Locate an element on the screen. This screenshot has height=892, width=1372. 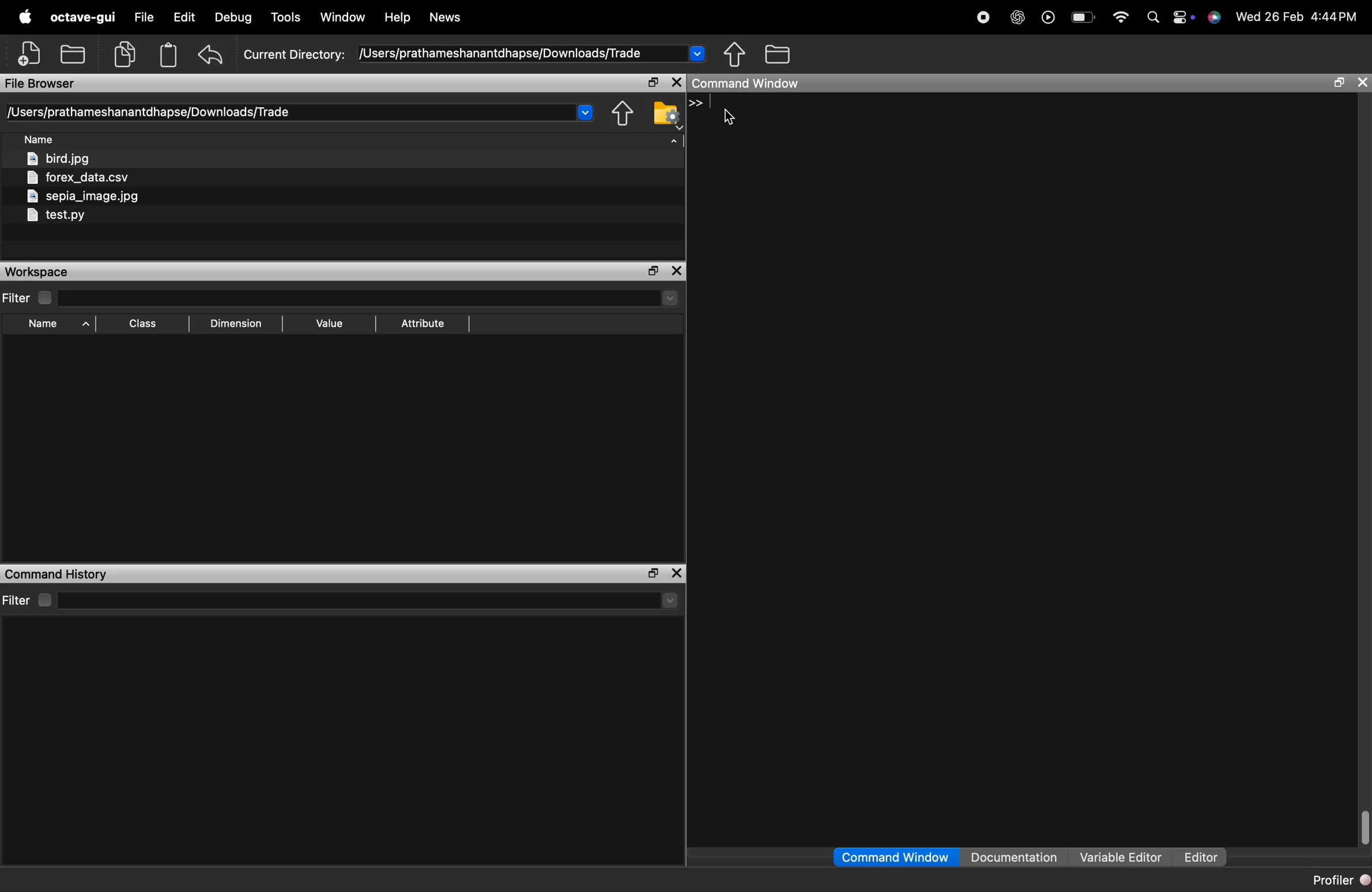
share is located at coordinates (735, 54).